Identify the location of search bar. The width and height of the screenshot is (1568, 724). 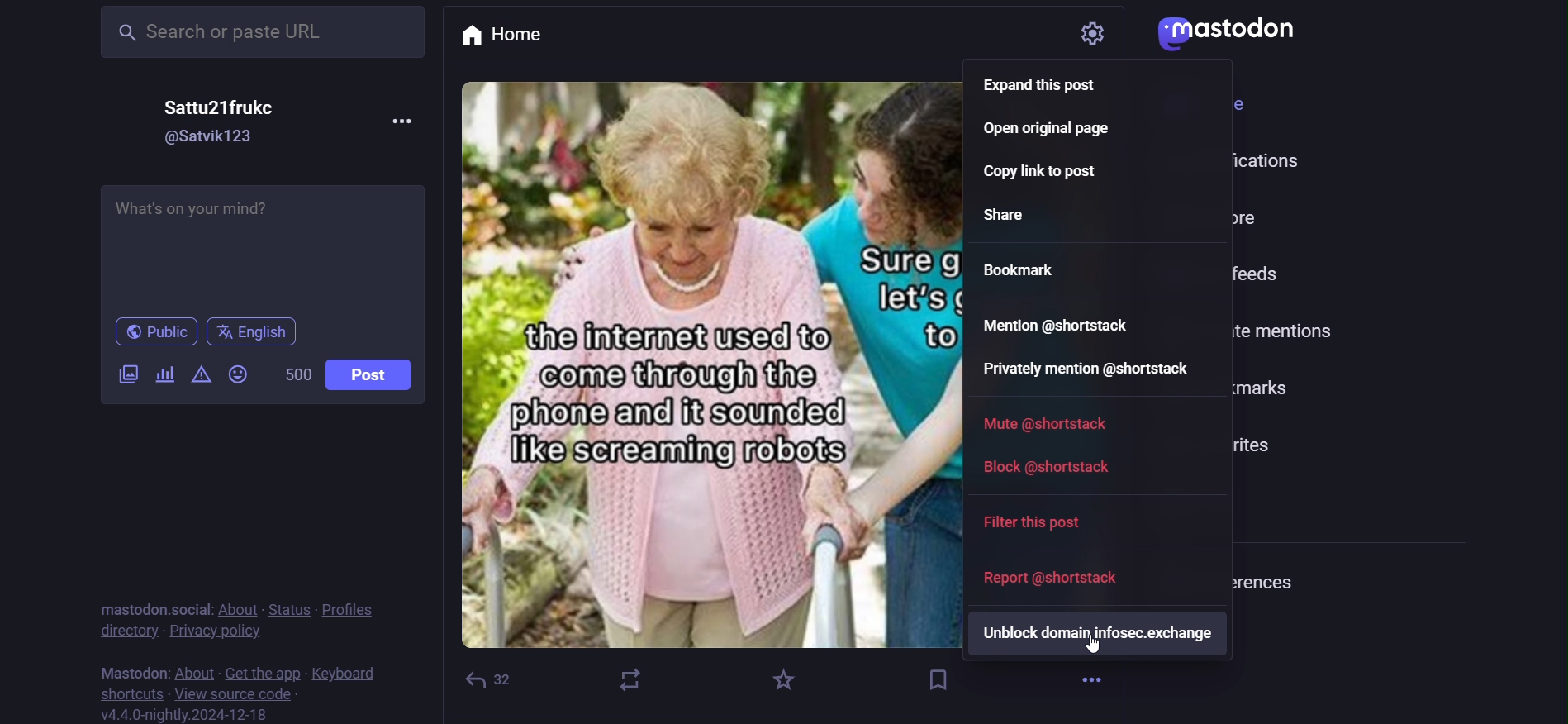
(258, 33).